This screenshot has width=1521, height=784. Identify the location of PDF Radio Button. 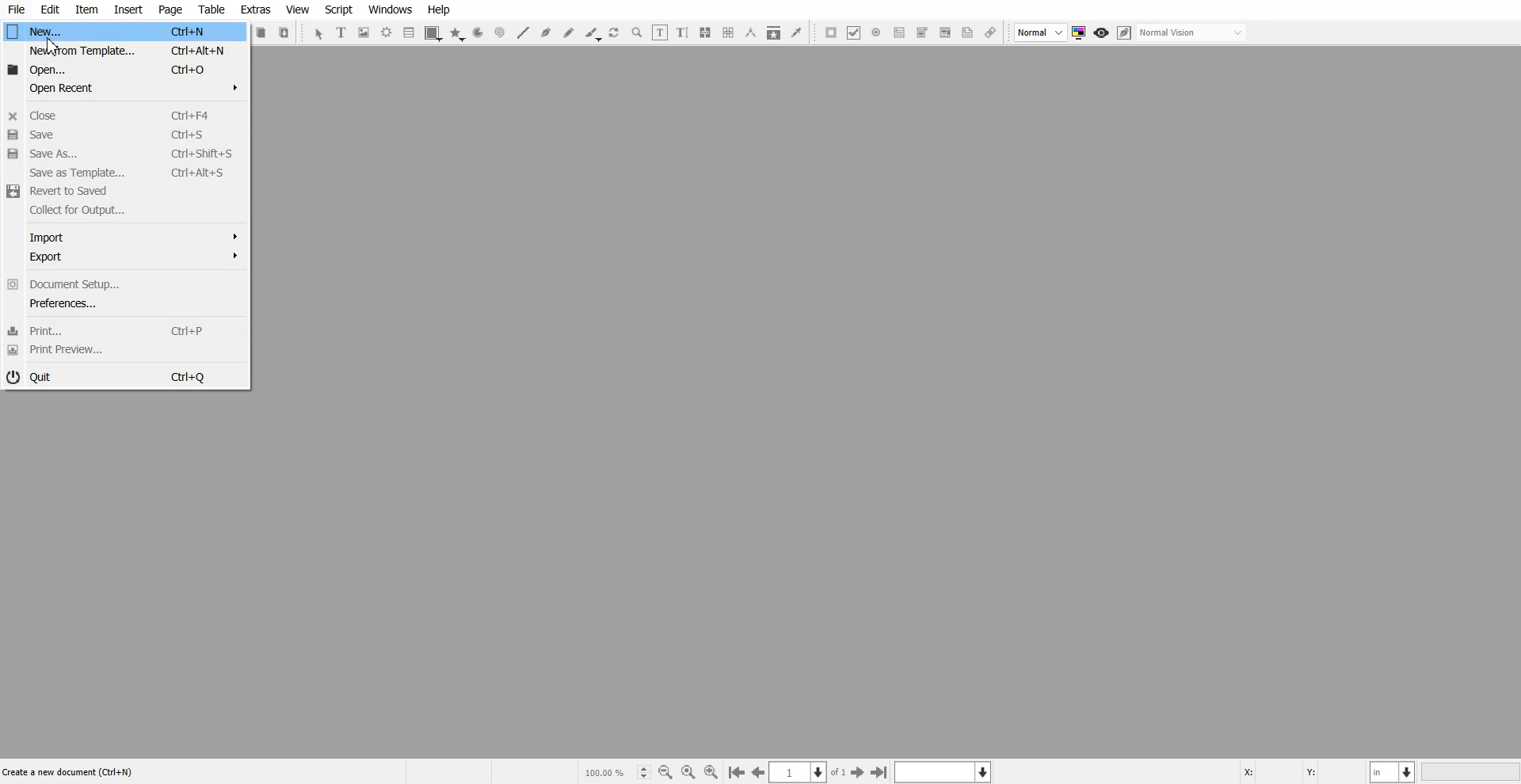
(876, 32).